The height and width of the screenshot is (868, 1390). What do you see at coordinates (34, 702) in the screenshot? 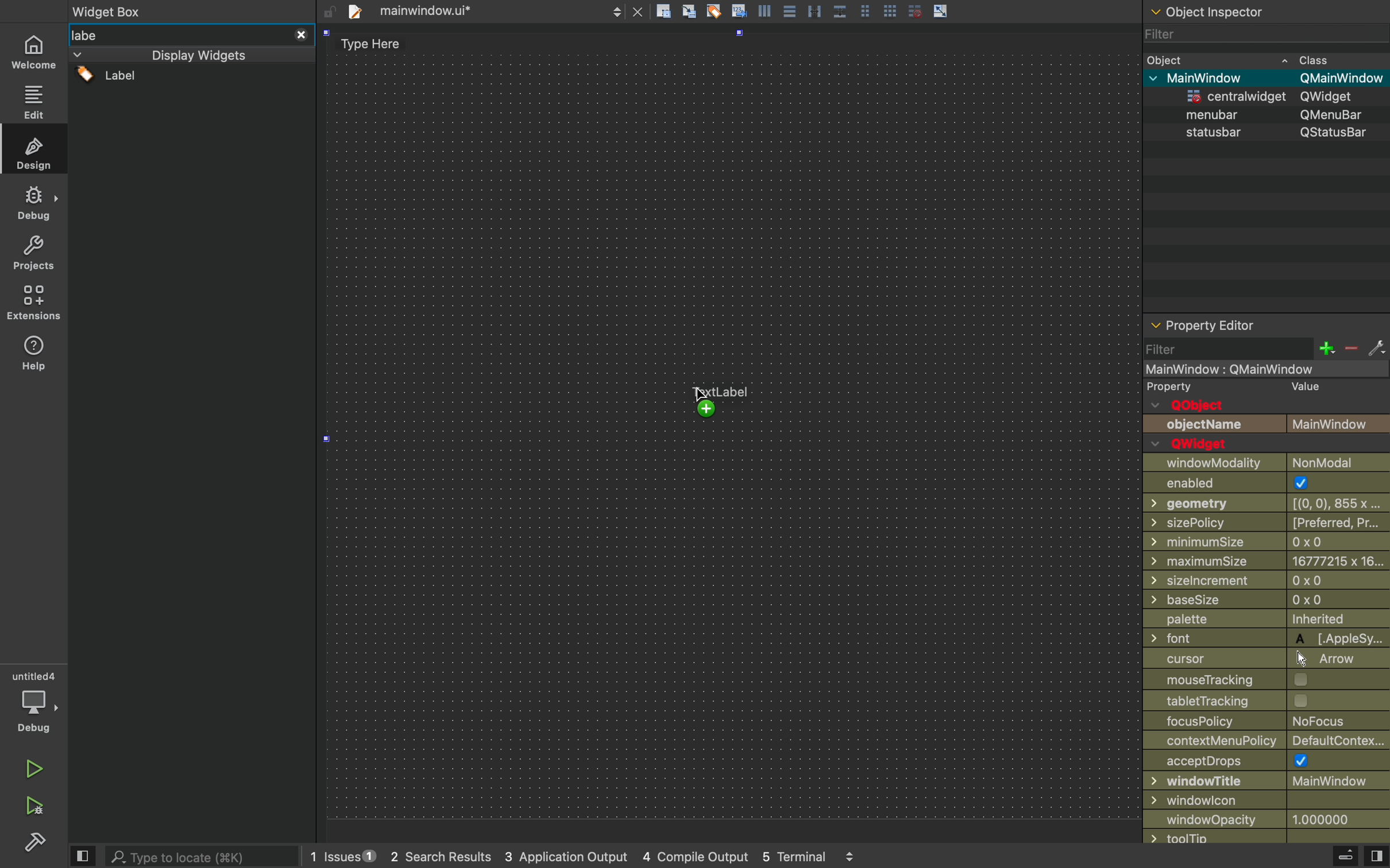
I see `debug` at bounding box center [34, 702].